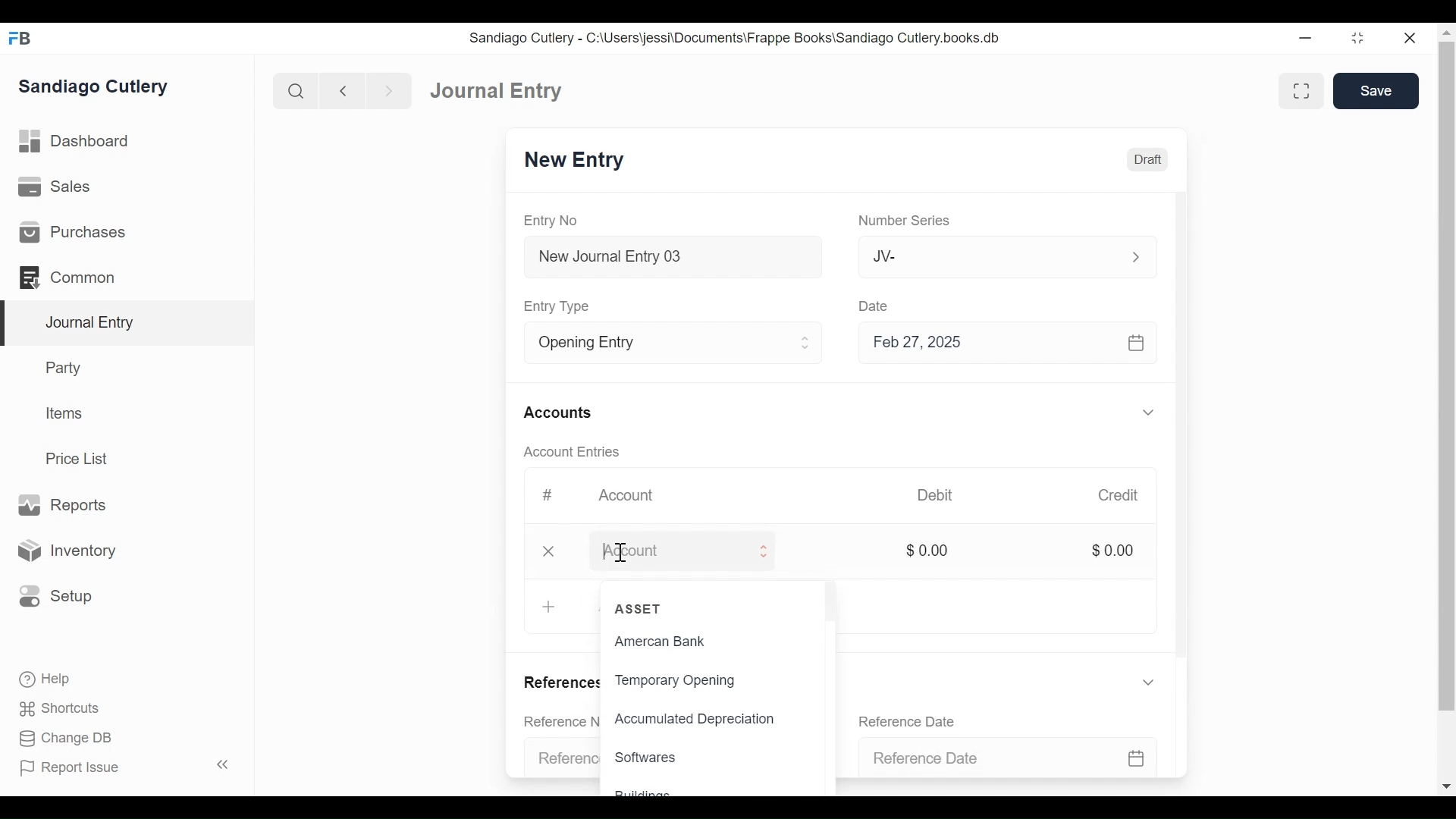 Image resolution: width=1456 pixels, height=819 pixels. I want to click on Vertical Scroll bar, so click(1185, 441).